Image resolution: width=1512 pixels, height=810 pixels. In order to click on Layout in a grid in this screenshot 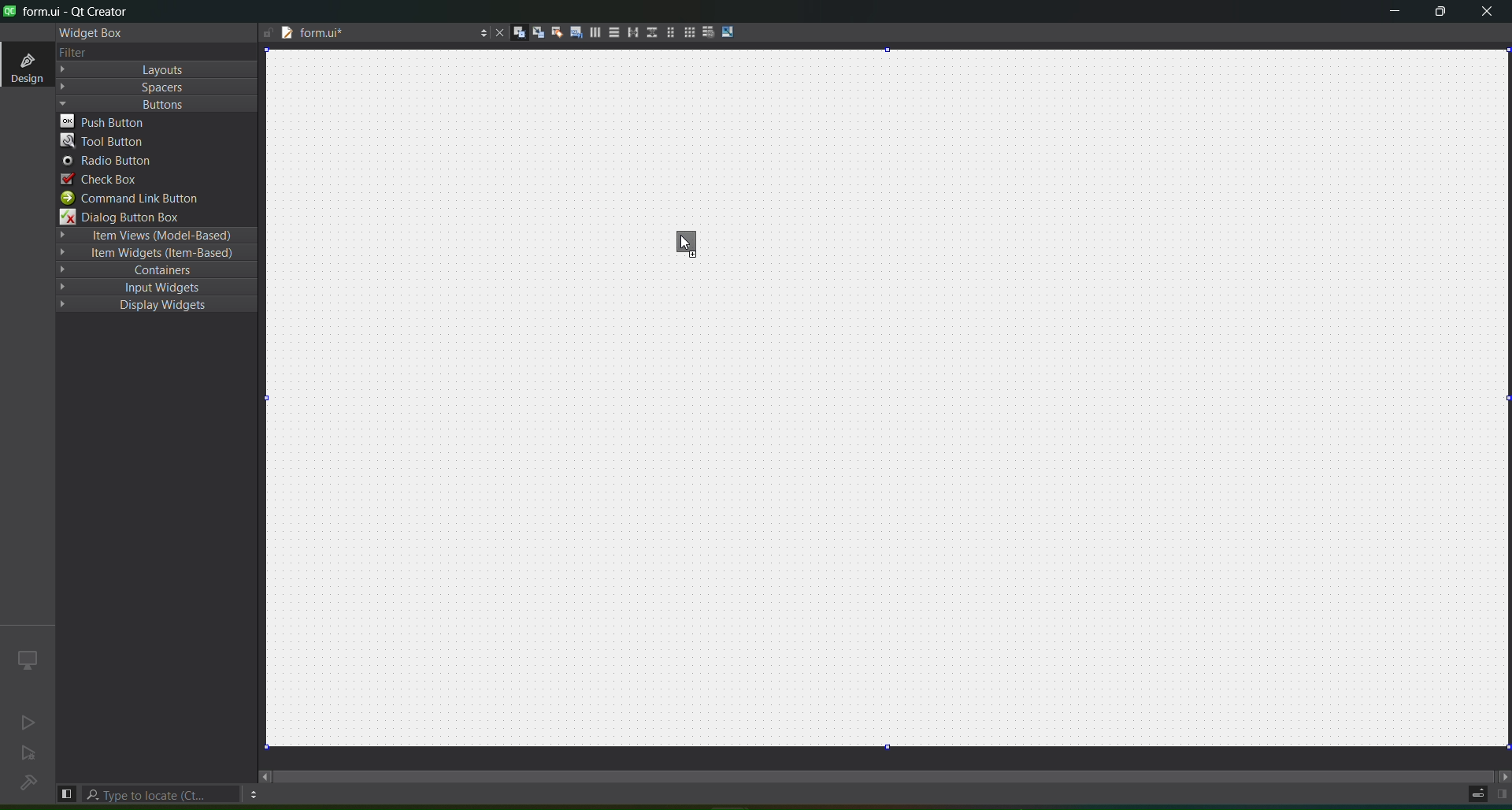, I will do `click(688, 32)`.